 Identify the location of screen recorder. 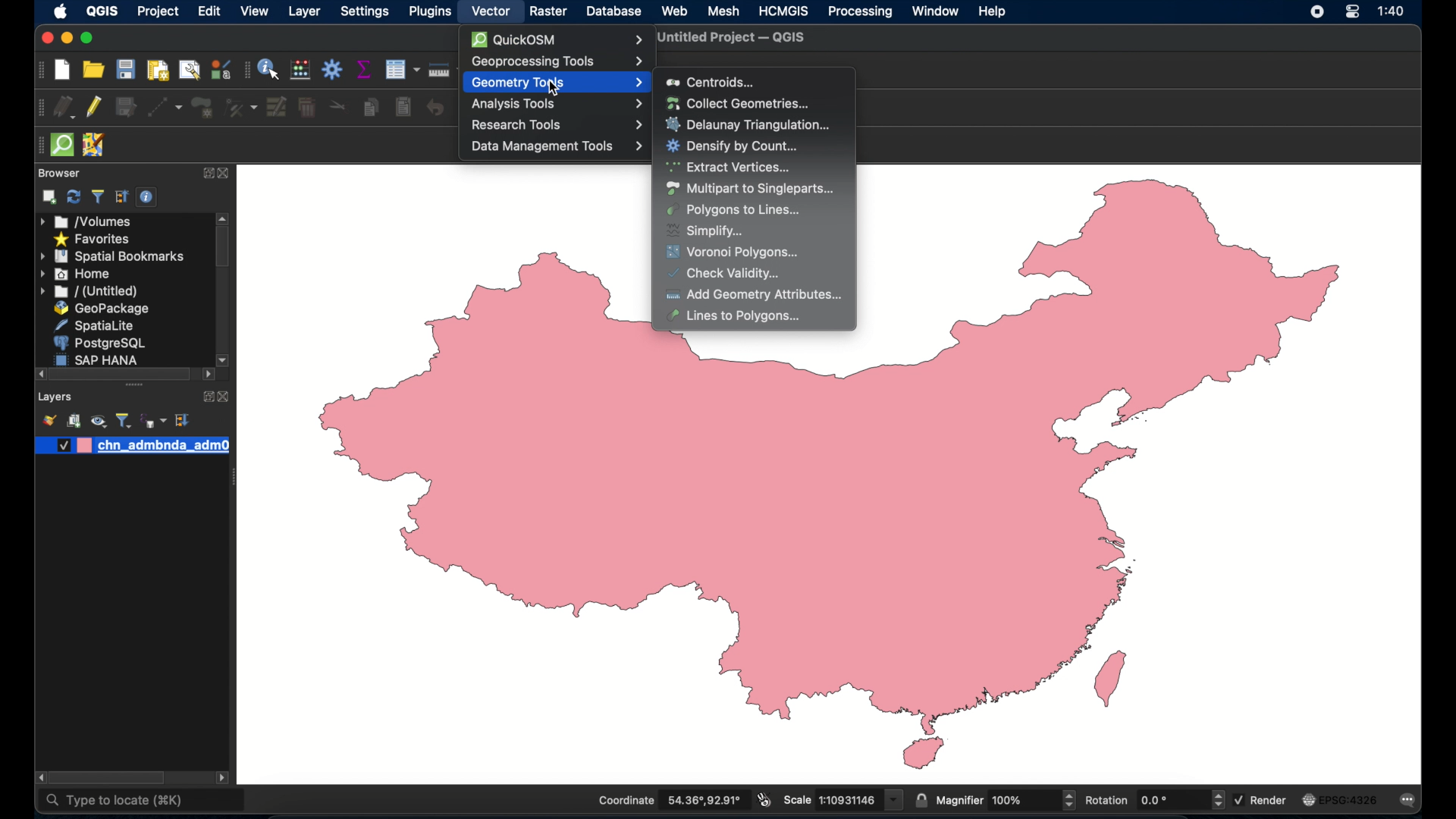
(1316, 13).